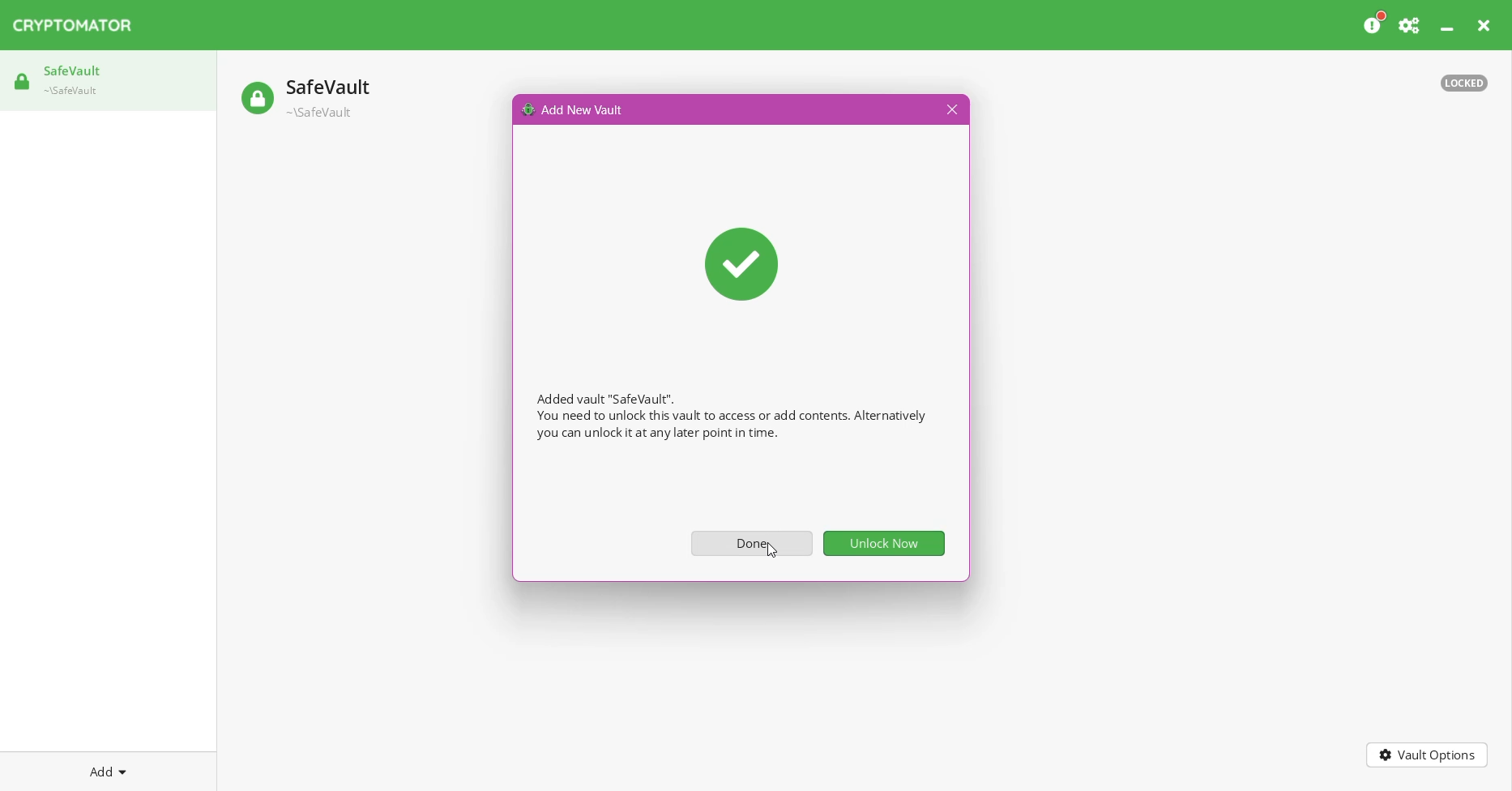  What do you see at coordinates (1375, 24) in the screenshot?
I see `Please consider donating` at bounding box center [1375, 24].